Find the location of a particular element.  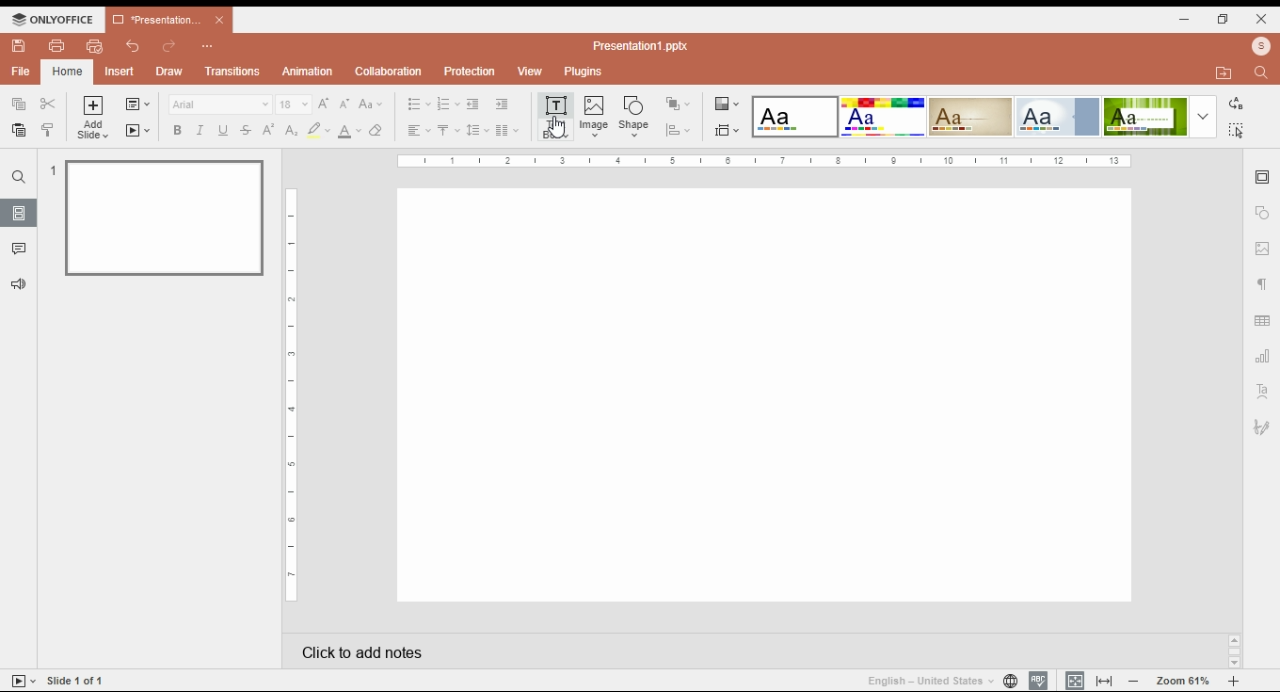

font color is located at coordinates (350, 131).